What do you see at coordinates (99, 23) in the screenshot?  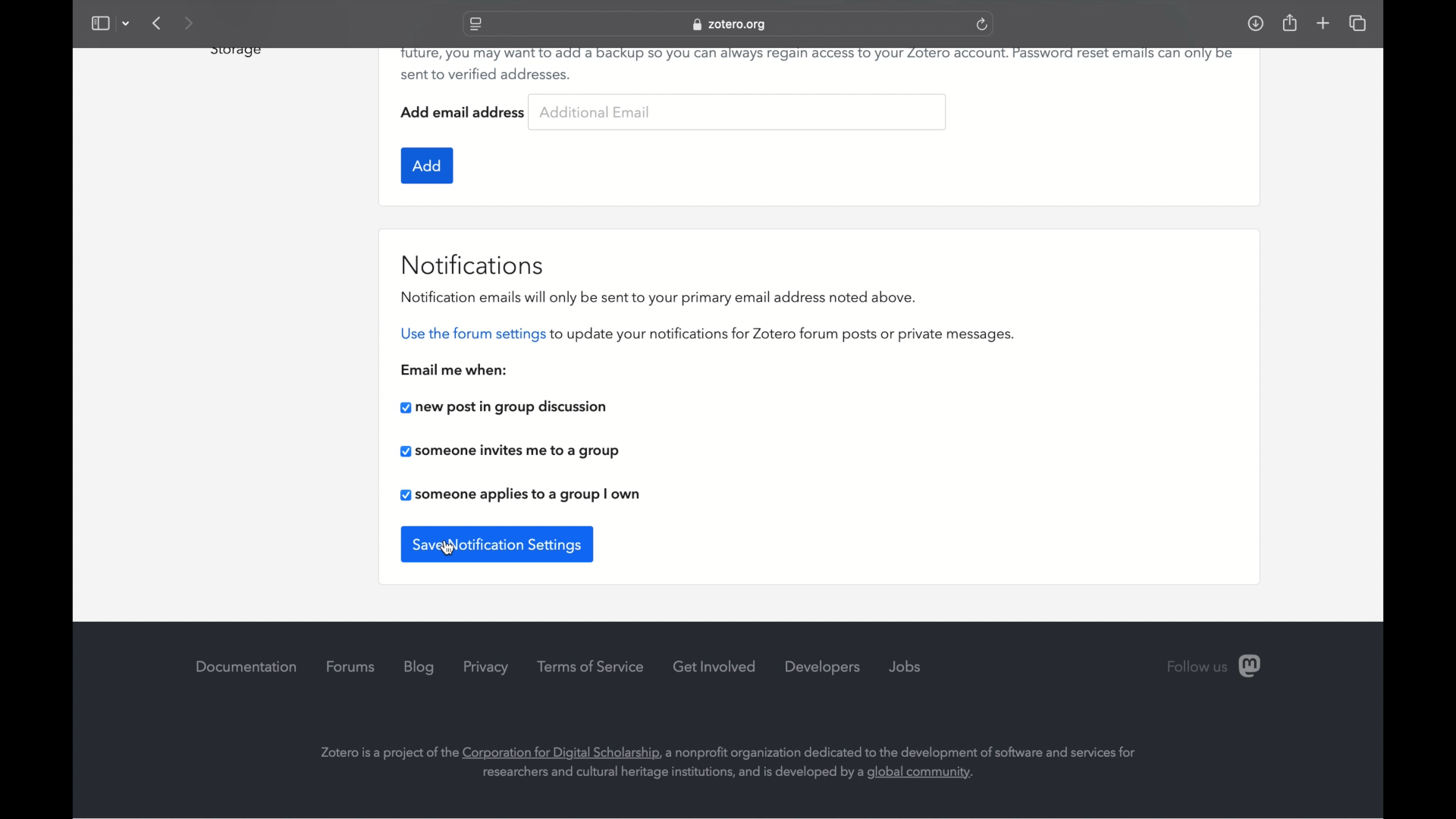 I see `show sidebar` at bounding box center [99, 23].